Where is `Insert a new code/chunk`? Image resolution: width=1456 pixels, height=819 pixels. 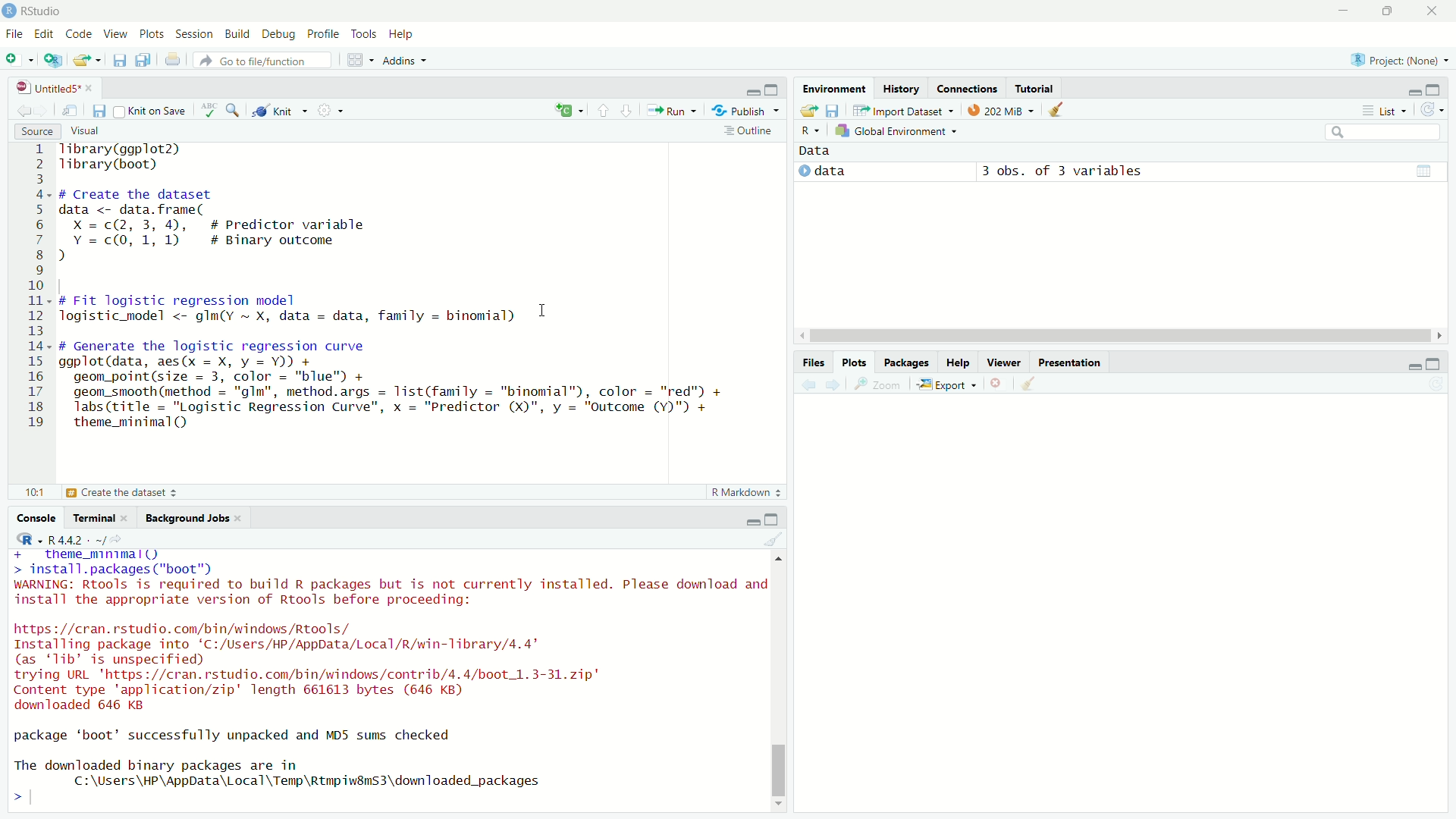
Insert a new code/chunk is located at coordinates (570, 110).